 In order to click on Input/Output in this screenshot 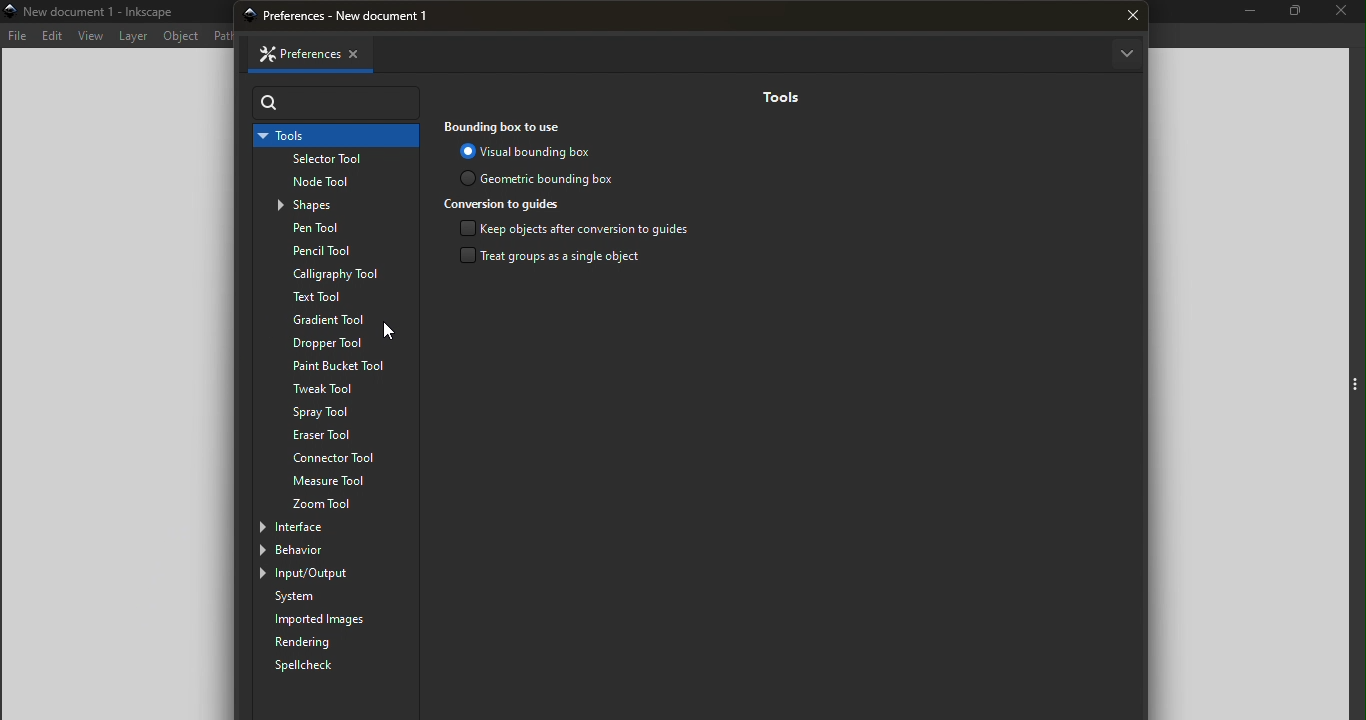, I will do `click(325, 574)`.